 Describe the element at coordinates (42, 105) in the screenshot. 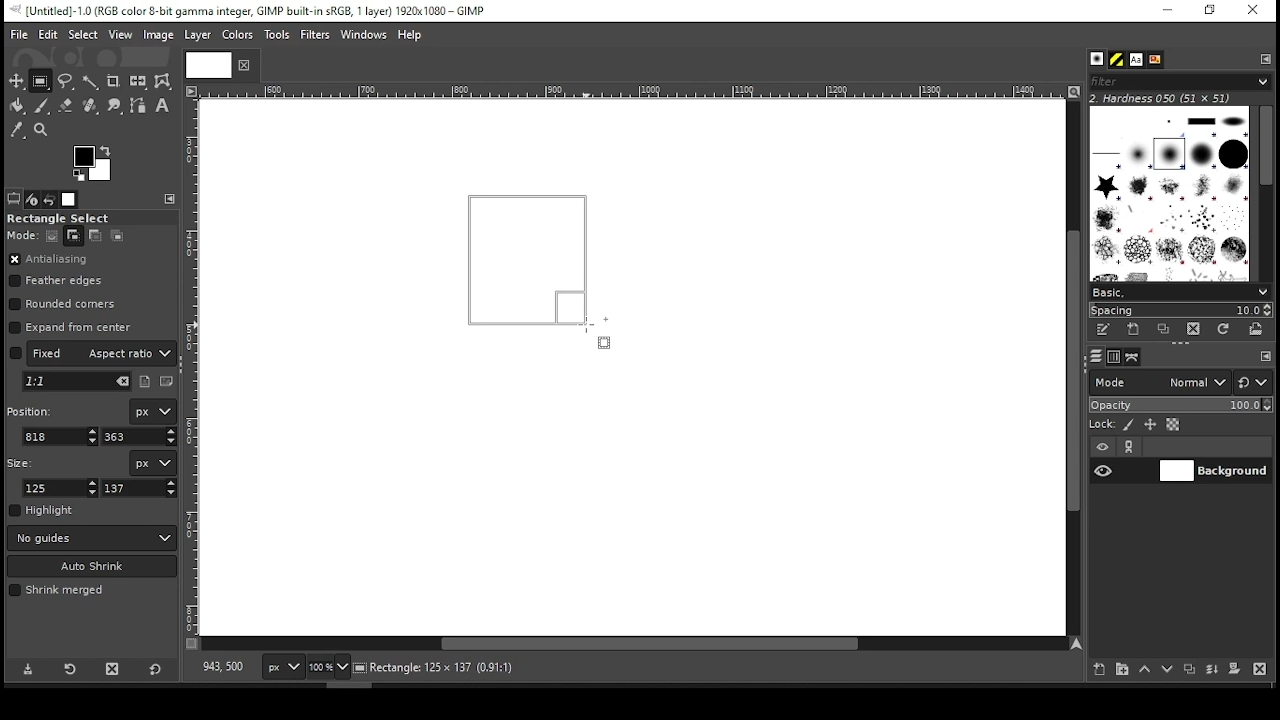

I see `paint brush tool` at that location.